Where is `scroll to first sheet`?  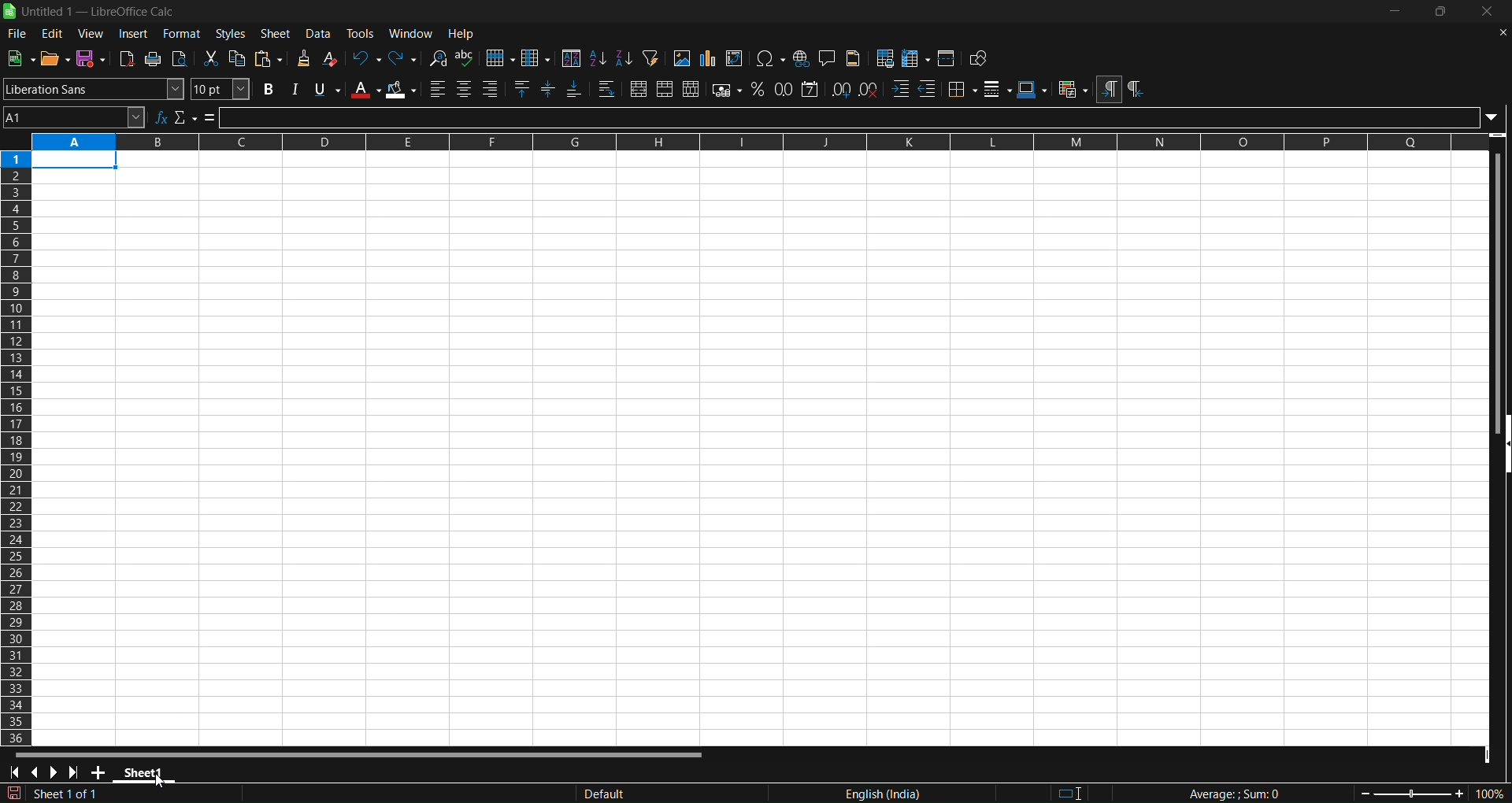
scroll to first sheet is located at coordinates (15, 773).